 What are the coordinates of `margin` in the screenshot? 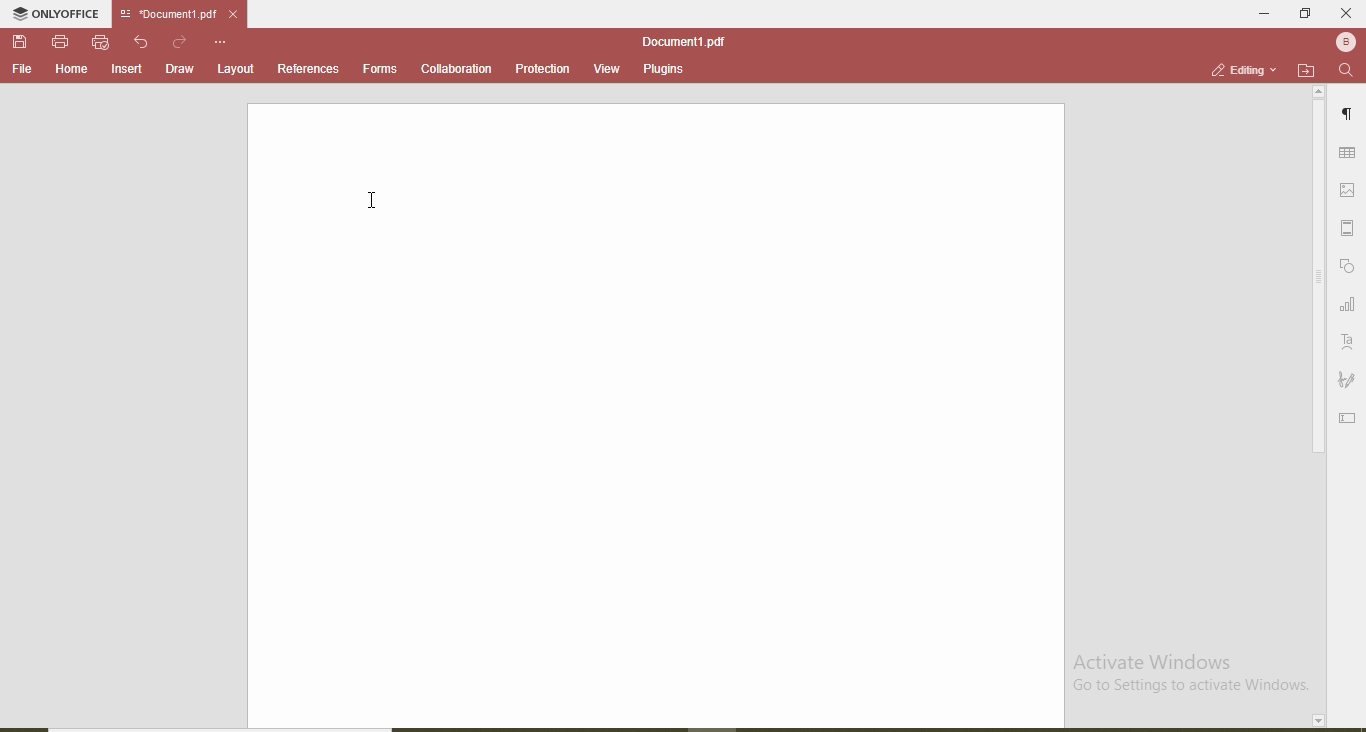 It's located at (1351, 228).